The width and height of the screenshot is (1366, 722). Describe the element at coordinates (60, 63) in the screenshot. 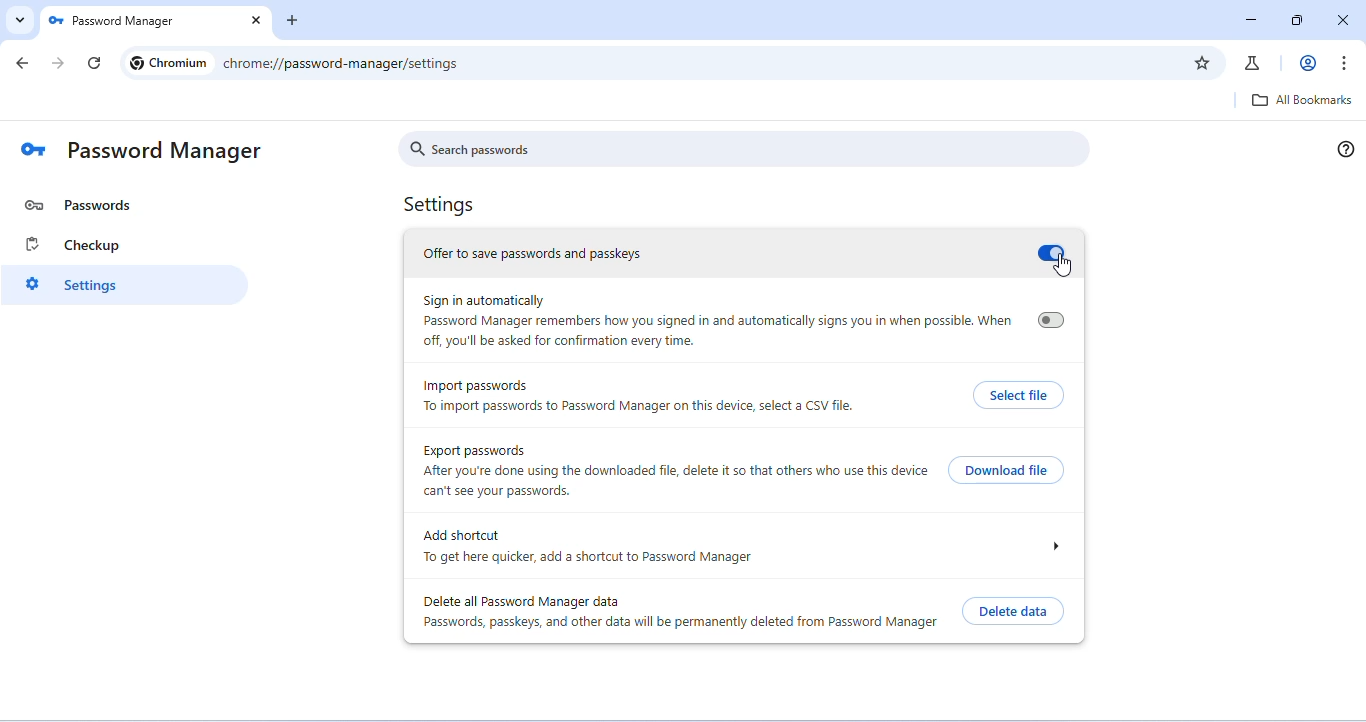

I see `go forward` at that location.